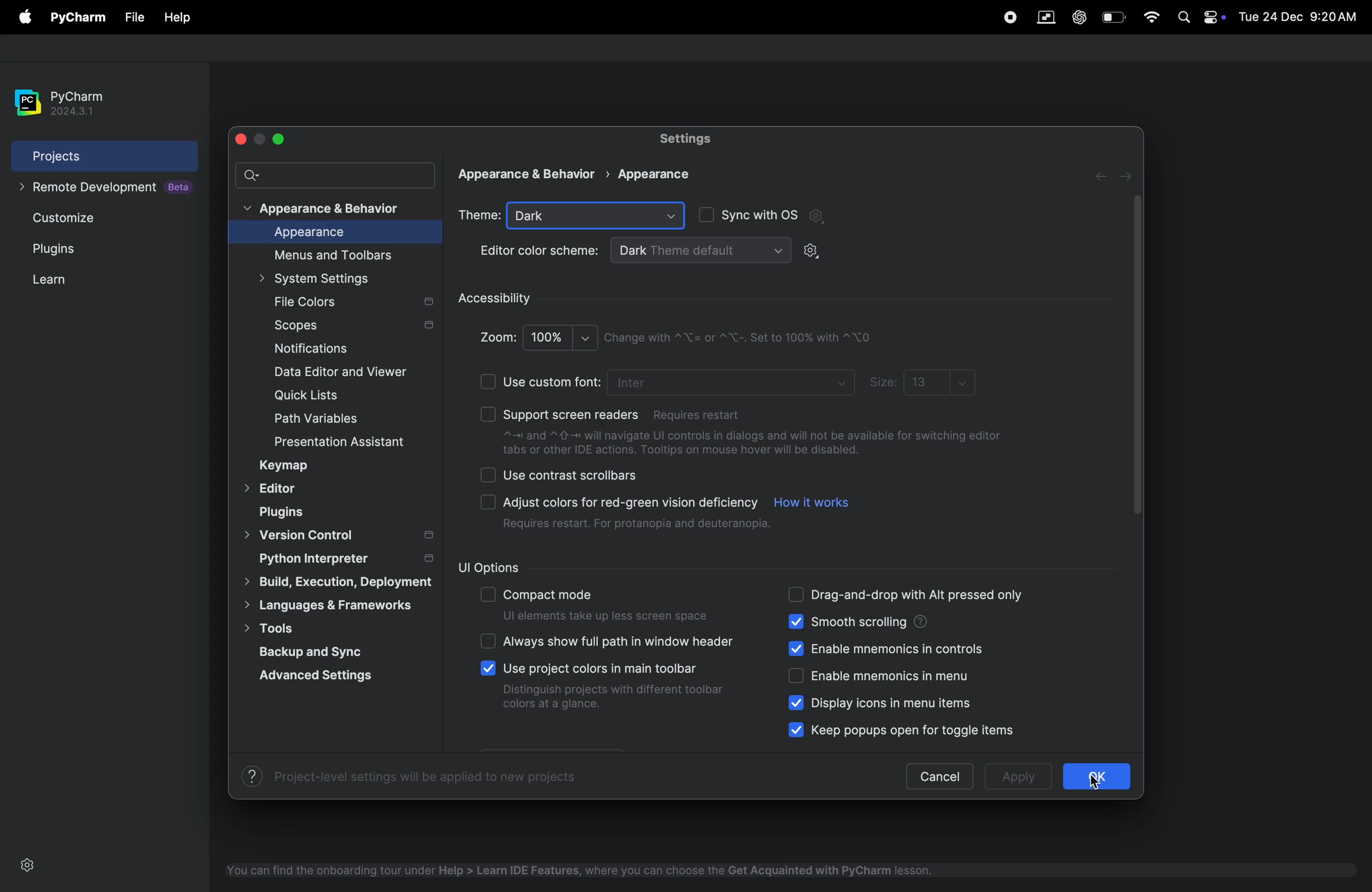  Describe the element at coordinates (316, 396) in the screenshot. I see `Quick lists` at that location.